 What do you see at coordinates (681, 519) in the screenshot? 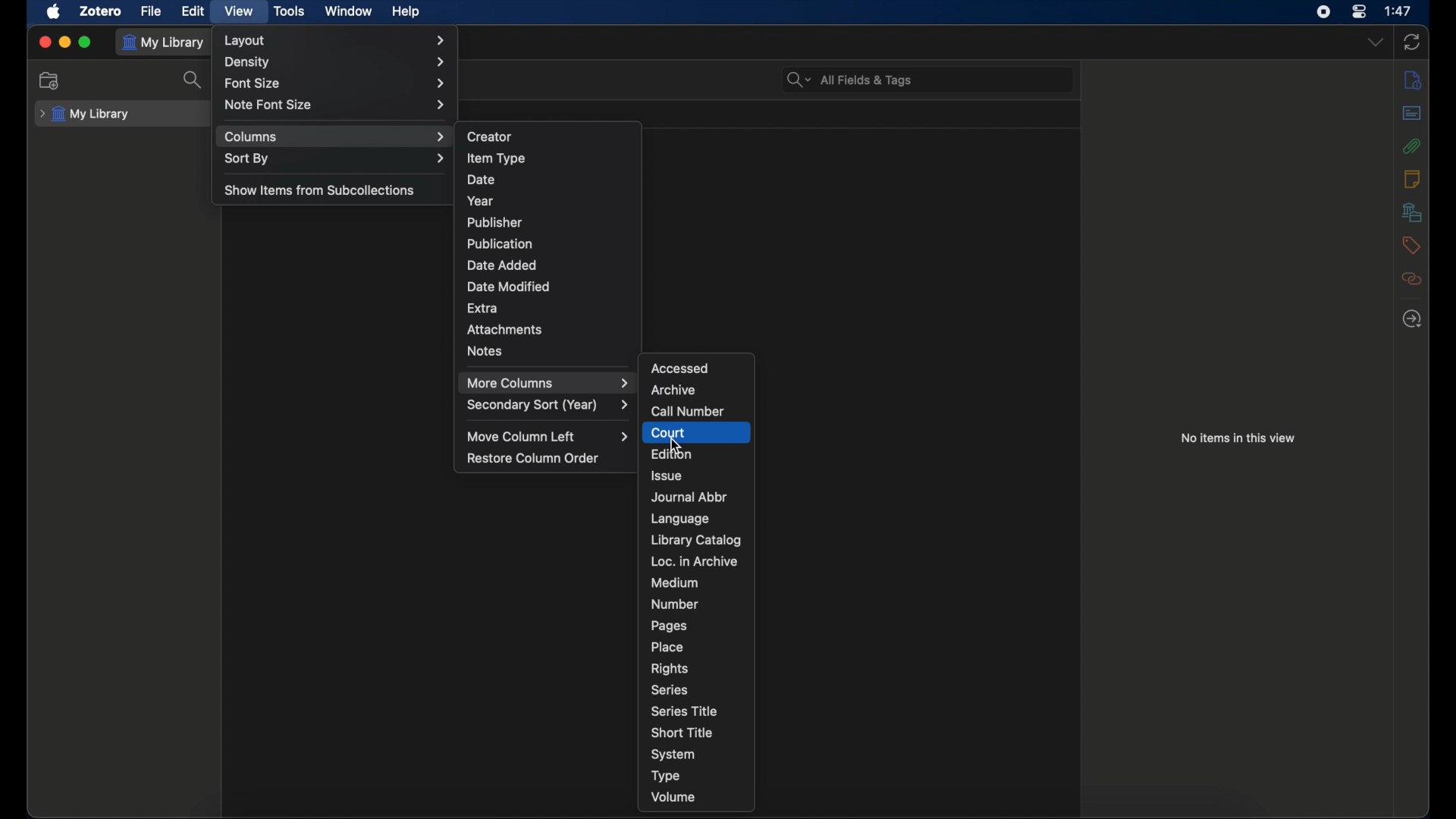
I see `language` at bounding box center [681, 519].